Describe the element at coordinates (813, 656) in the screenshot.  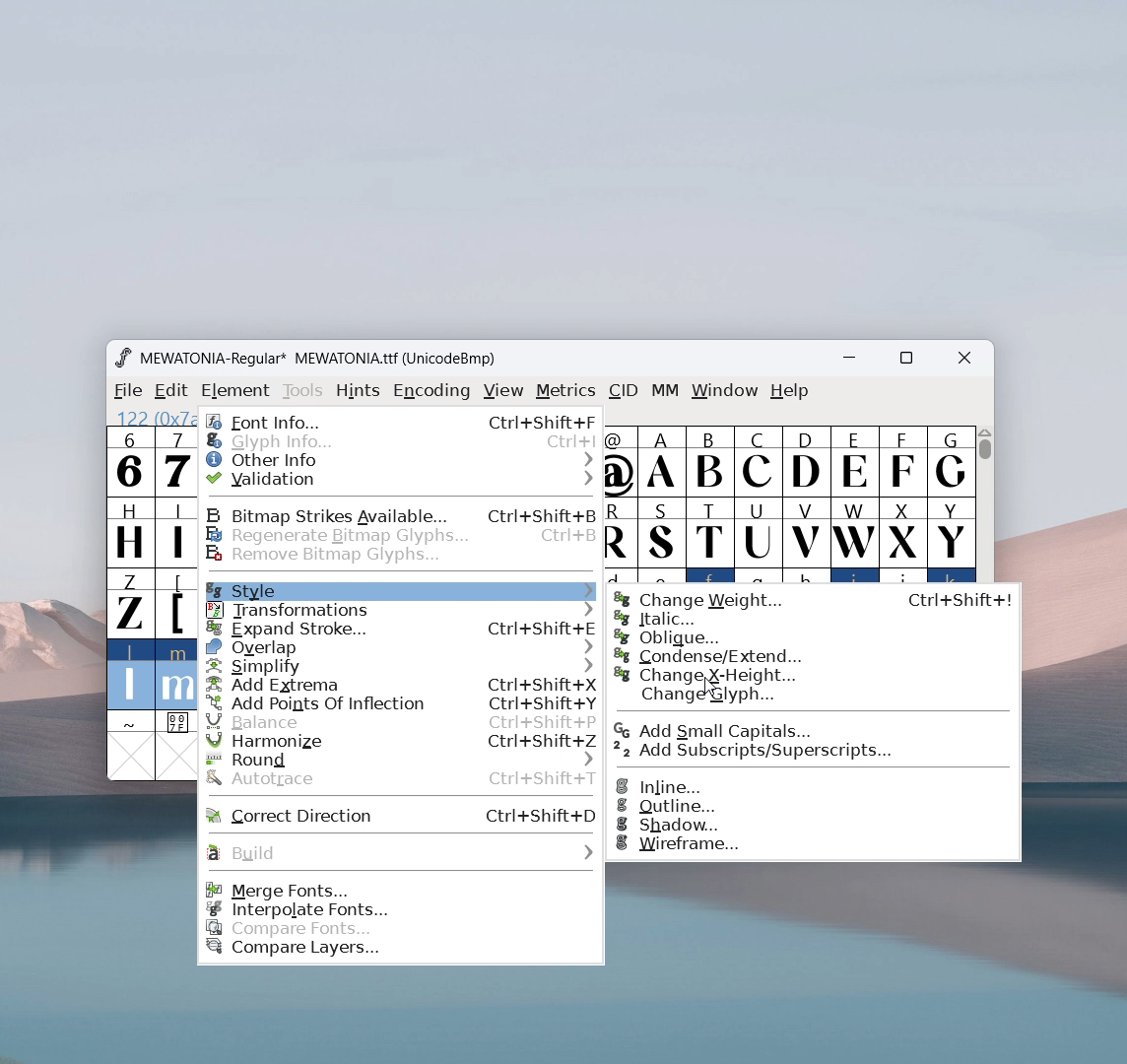
I see `condense/extend` at that location.